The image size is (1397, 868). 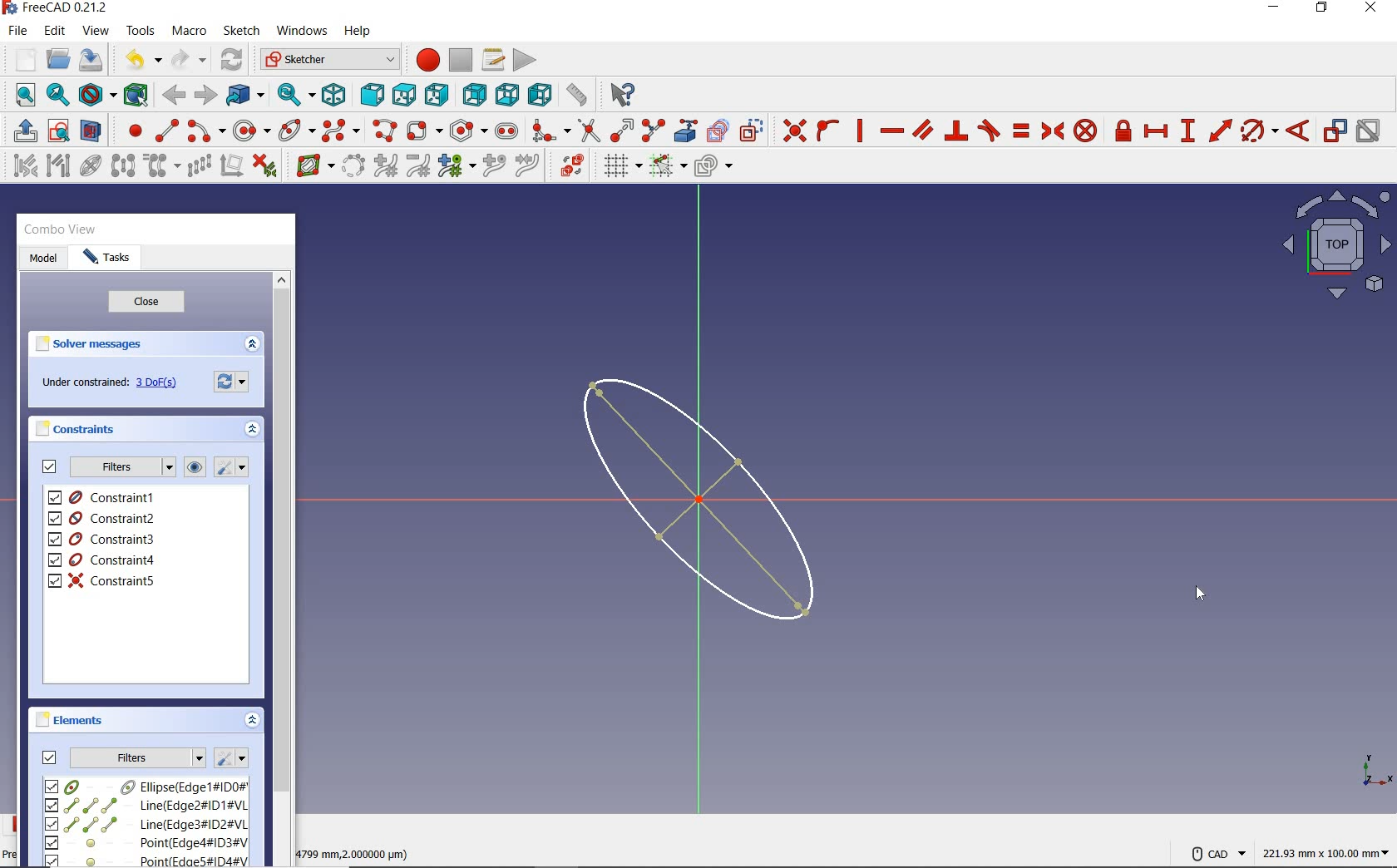 I want to click on what's this?, so click(x=620, y=91).